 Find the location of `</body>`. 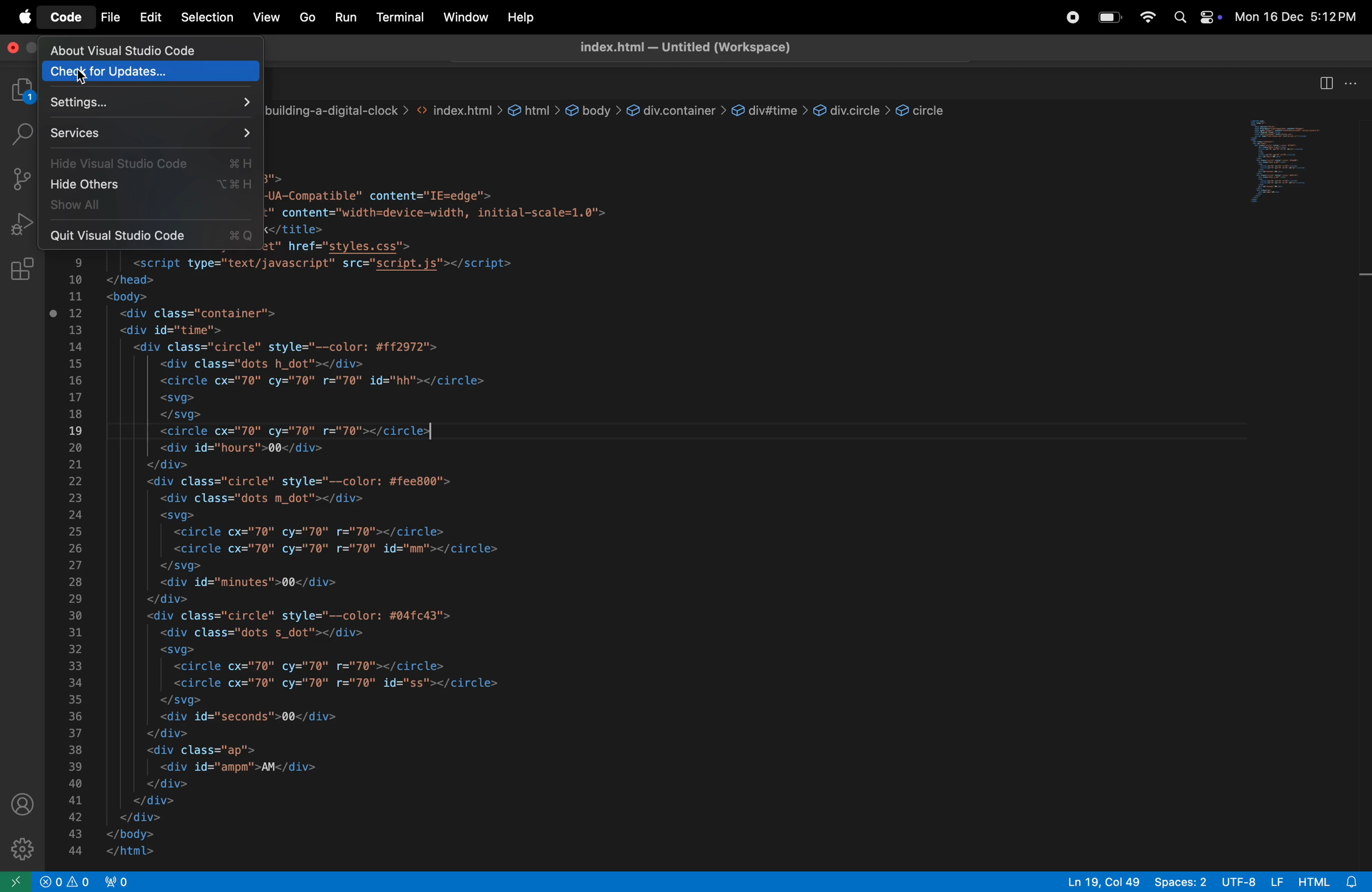

</body> is located at coordinates (133, 833).